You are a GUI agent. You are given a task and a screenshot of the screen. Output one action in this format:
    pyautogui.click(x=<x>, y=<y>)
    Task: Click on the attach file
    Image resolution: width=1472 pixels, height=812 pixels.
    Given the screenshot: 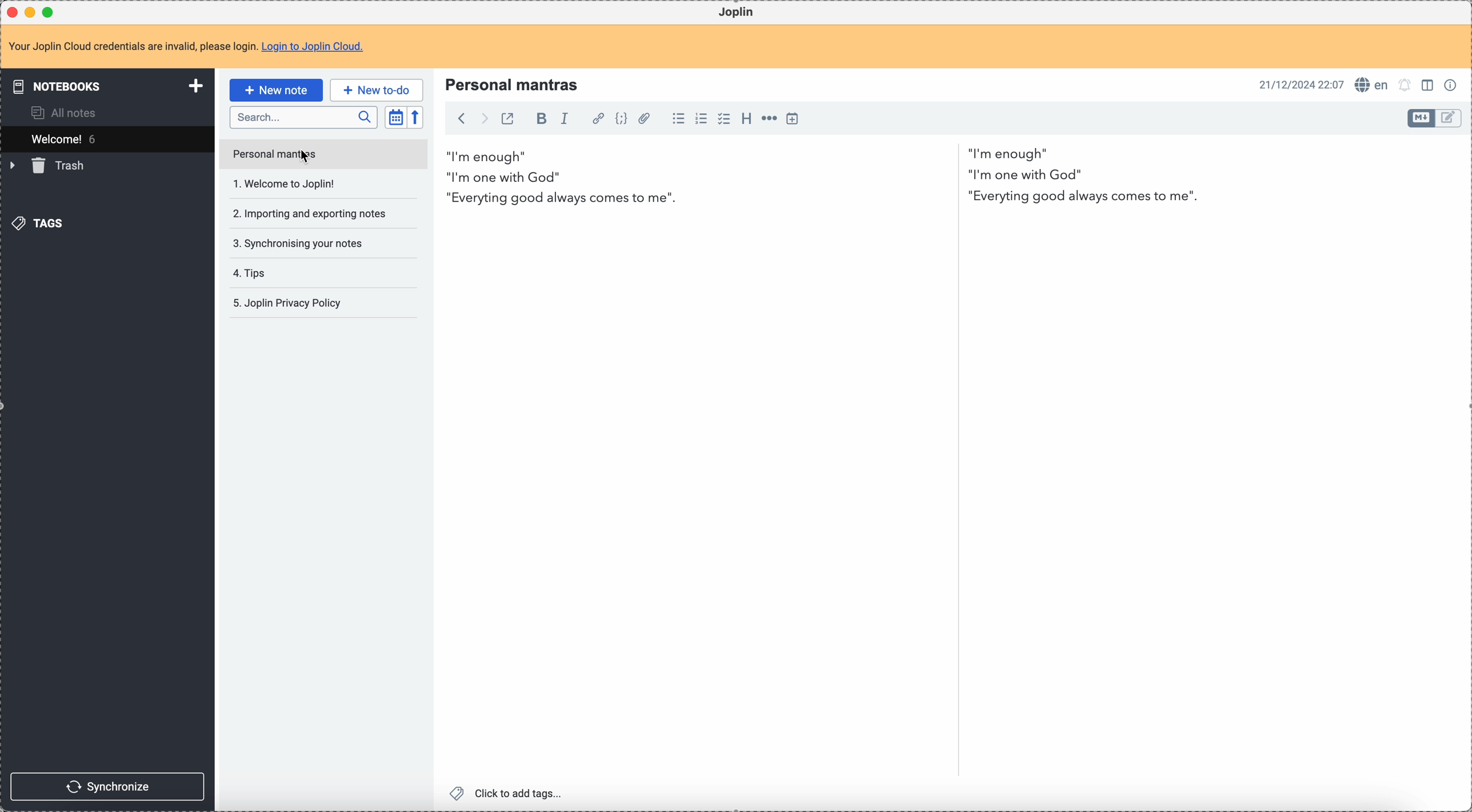 What is the action you would take?
    pyautogui.click(x=648, y=119)
    